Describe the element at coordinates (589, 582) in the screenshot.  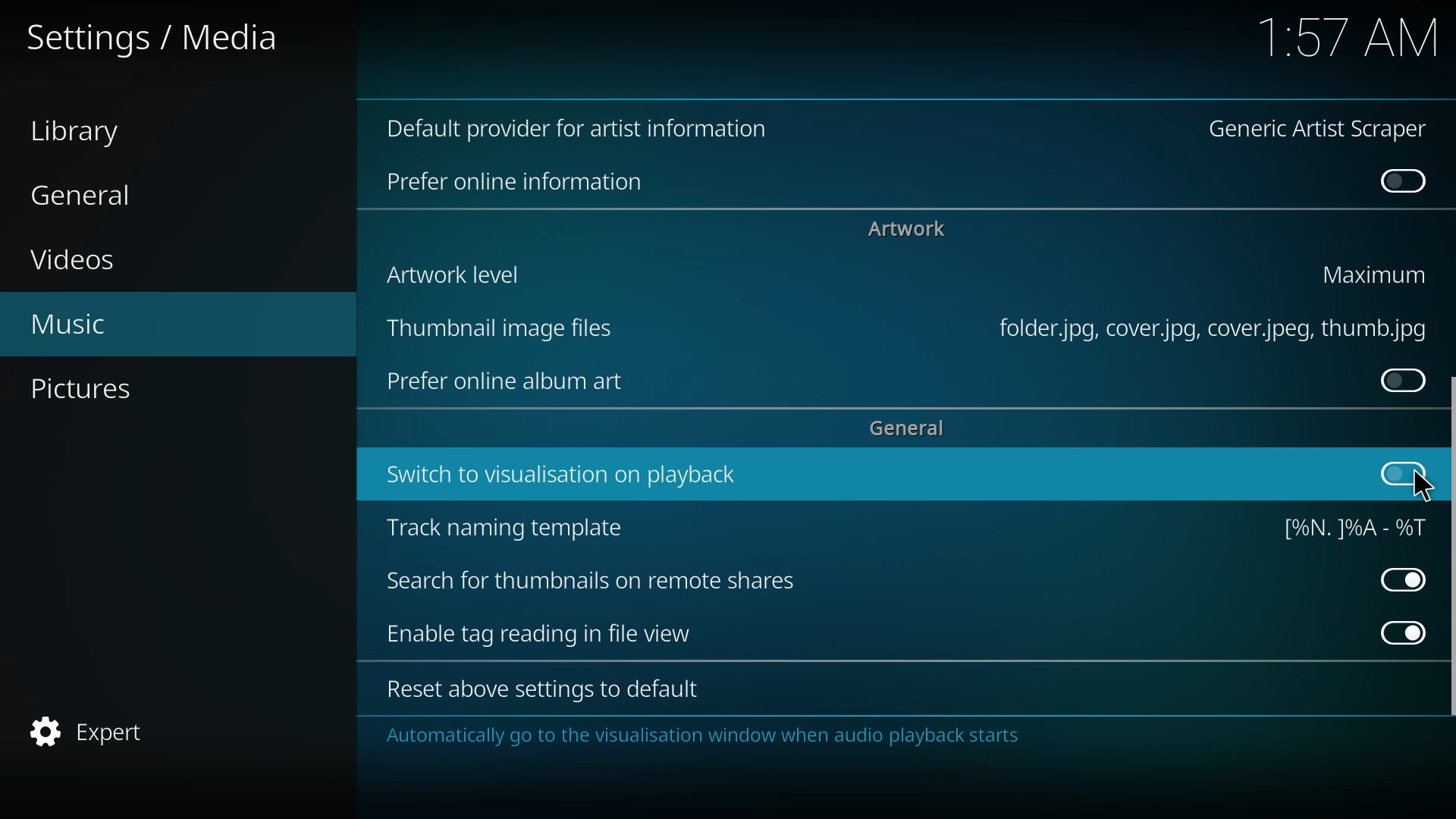
I see `search for thumbnails` at that location.